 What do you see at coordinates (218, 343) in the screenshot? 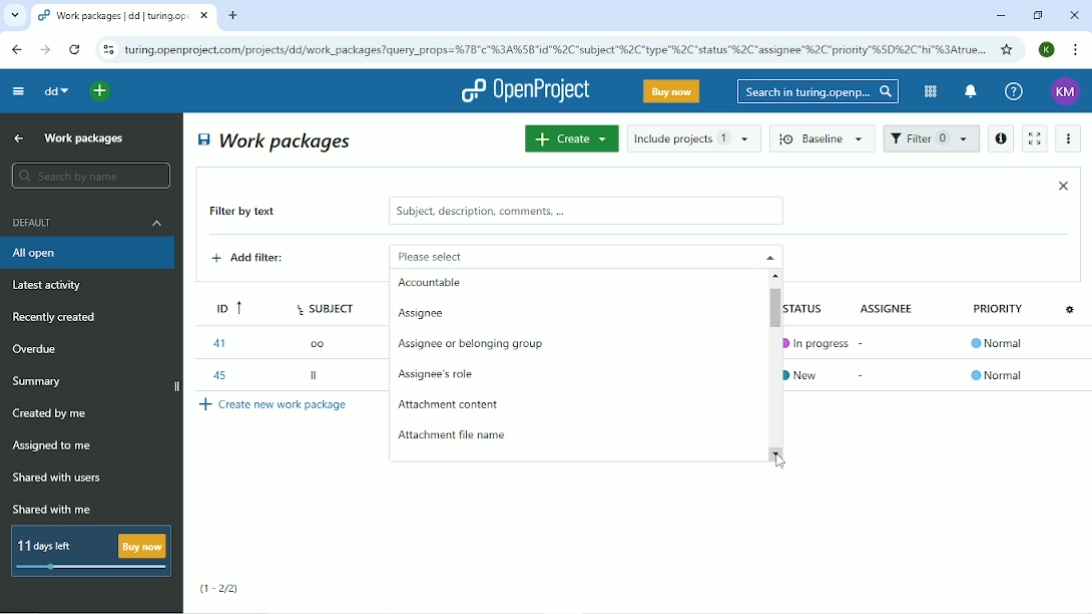
I see `41` at bounding box center [218, 343].